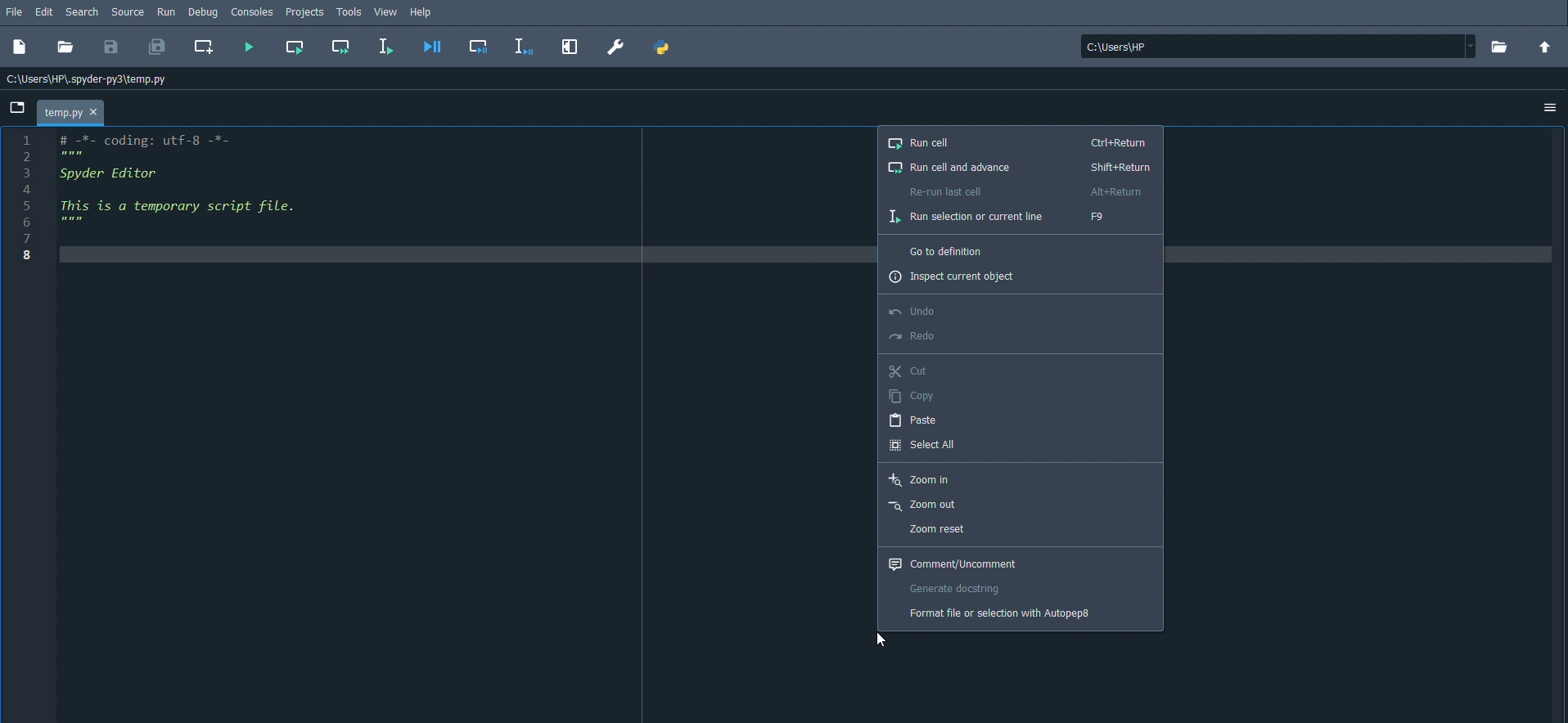  I want to click on Browse a working directory, so click(1498, 46).